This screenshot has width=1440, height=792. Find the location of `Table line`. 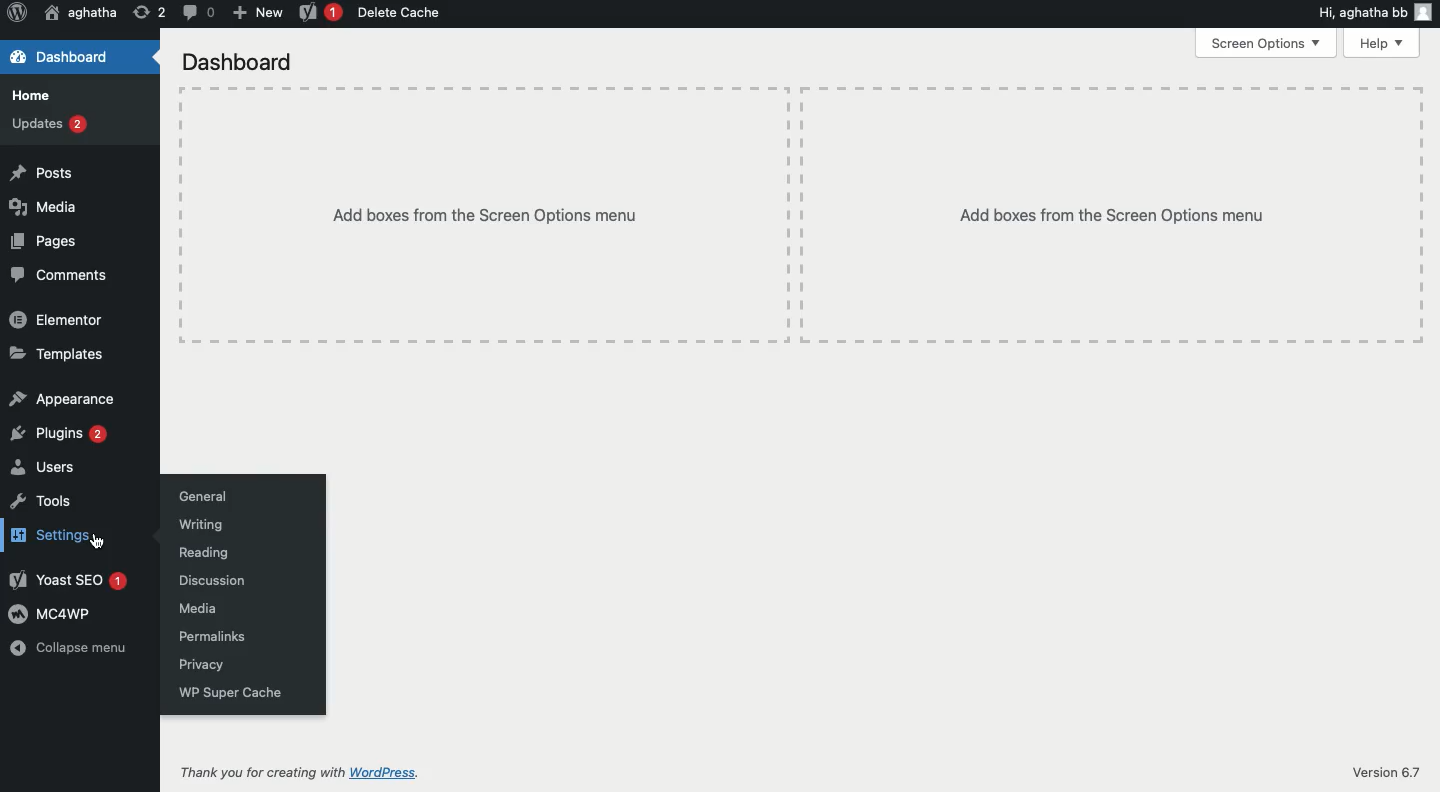

Table line is located at coordinates (182, 213).